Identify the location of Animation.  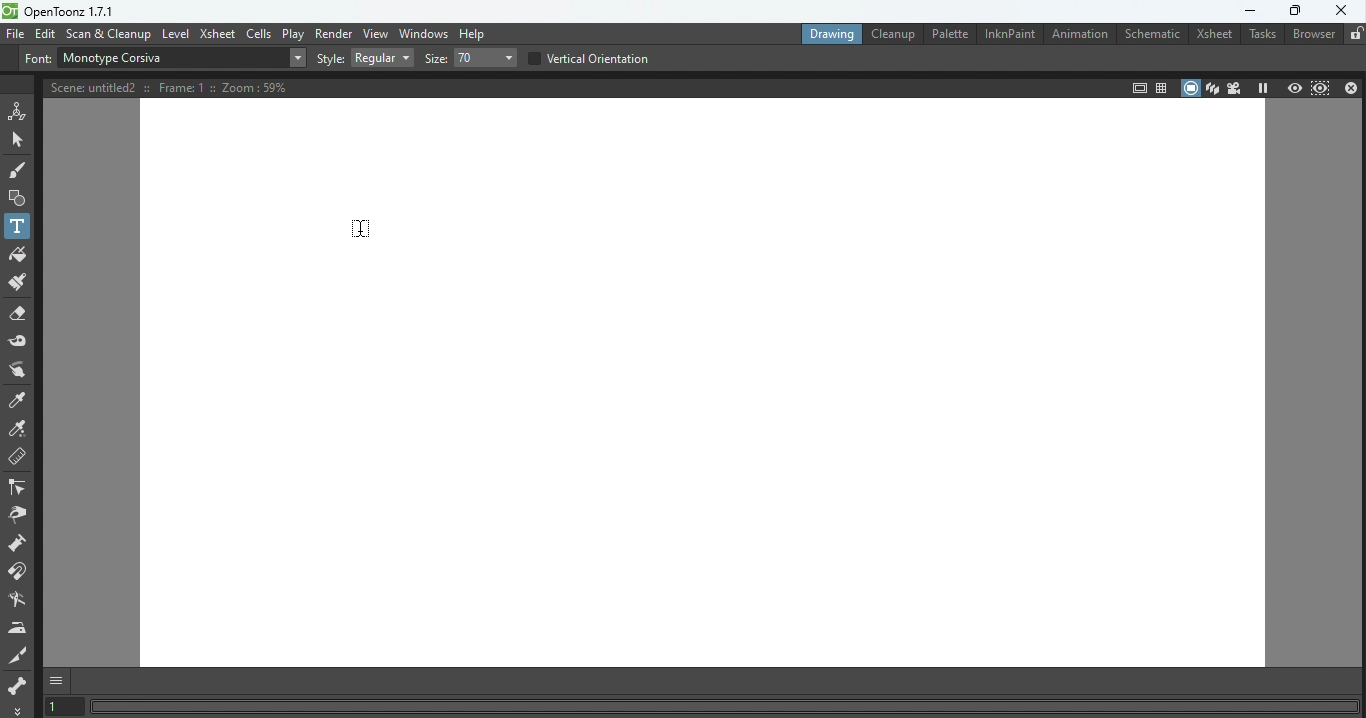
(1083, 35).